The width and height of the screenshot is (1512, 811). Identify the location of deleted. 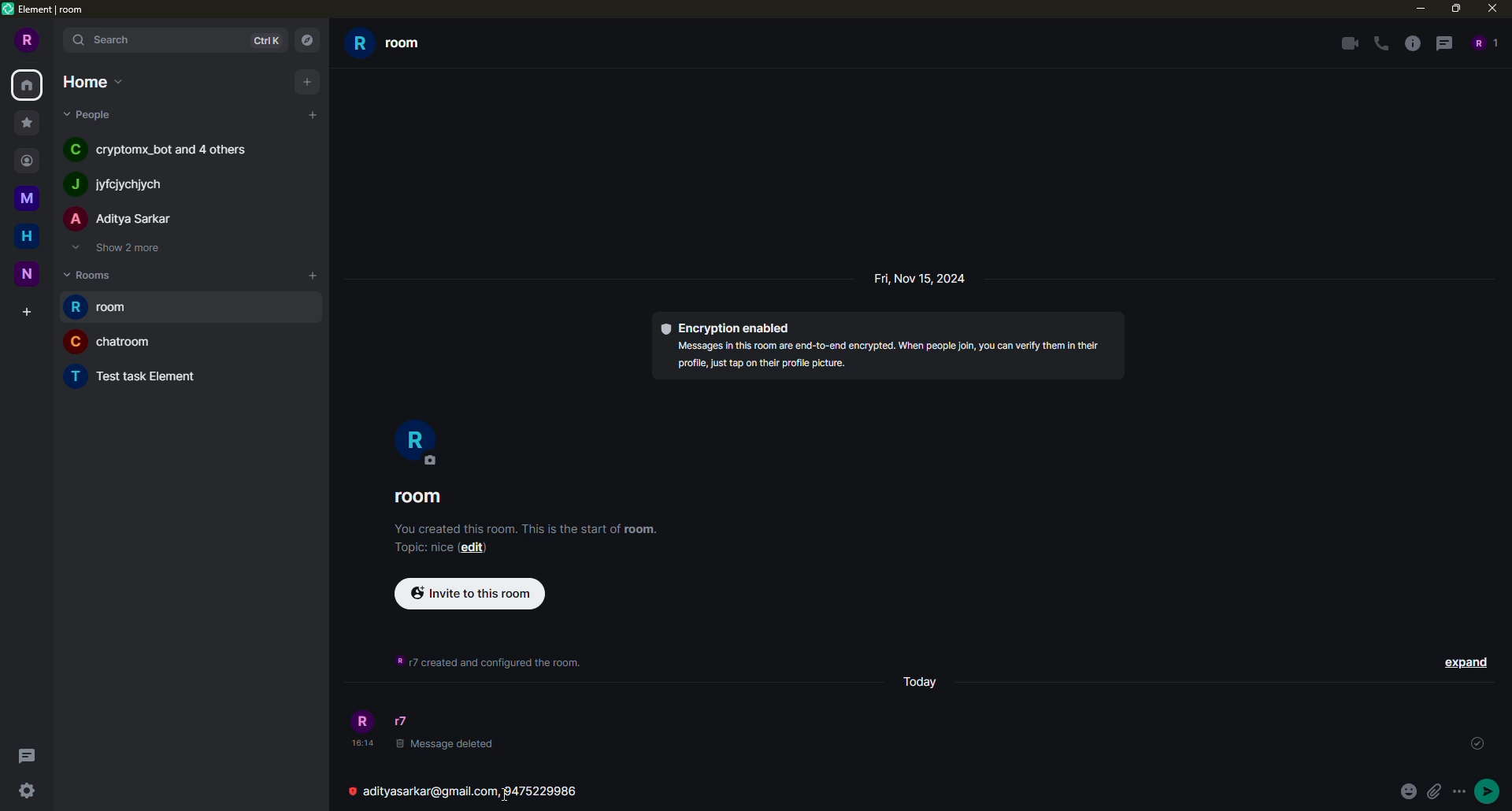
(444, 743).